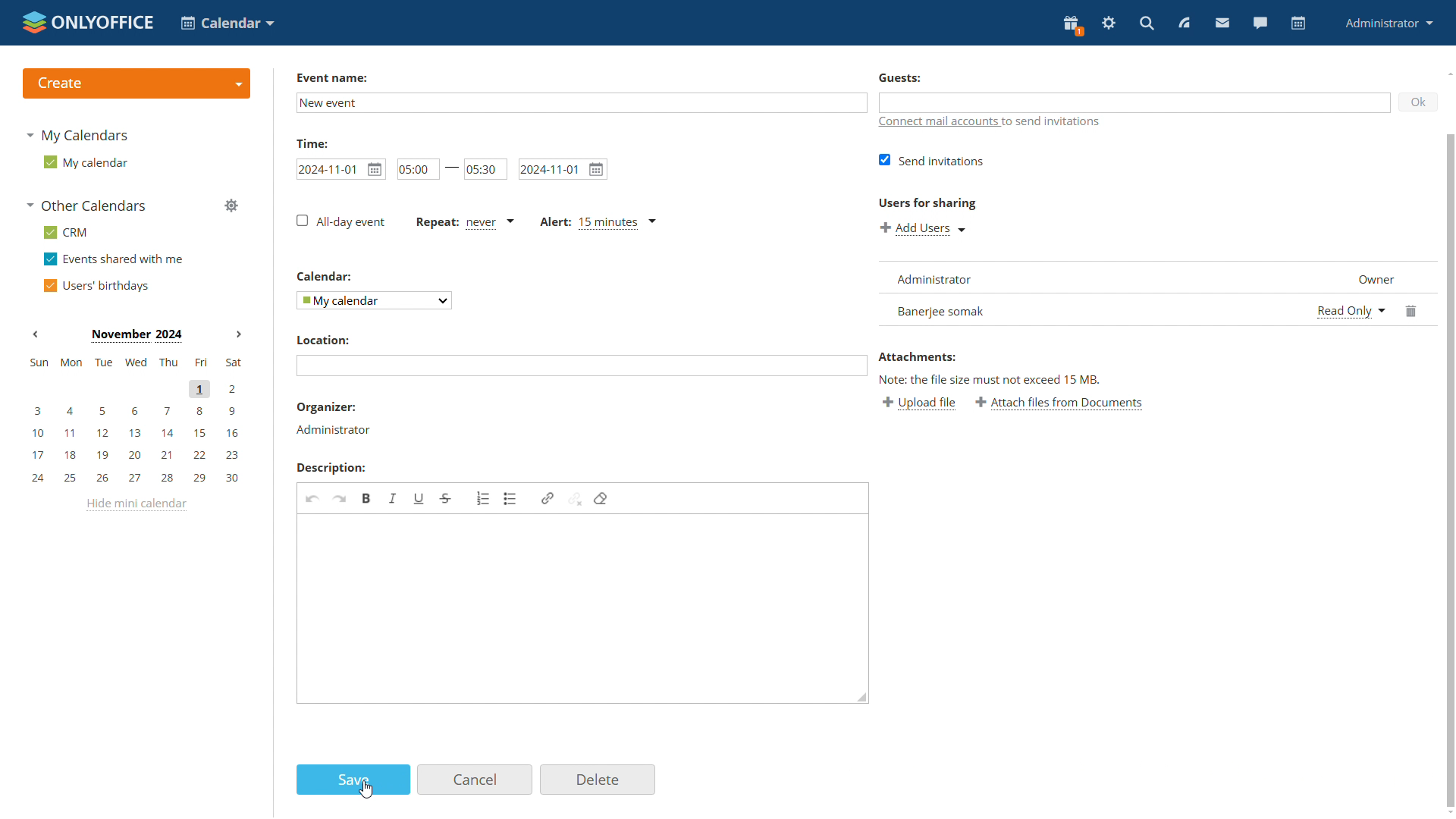 The image size is (1456, 819). What do you see at coordinates (136, 83) in the screenshot?
I see `create` at bounding box center [136, 83].